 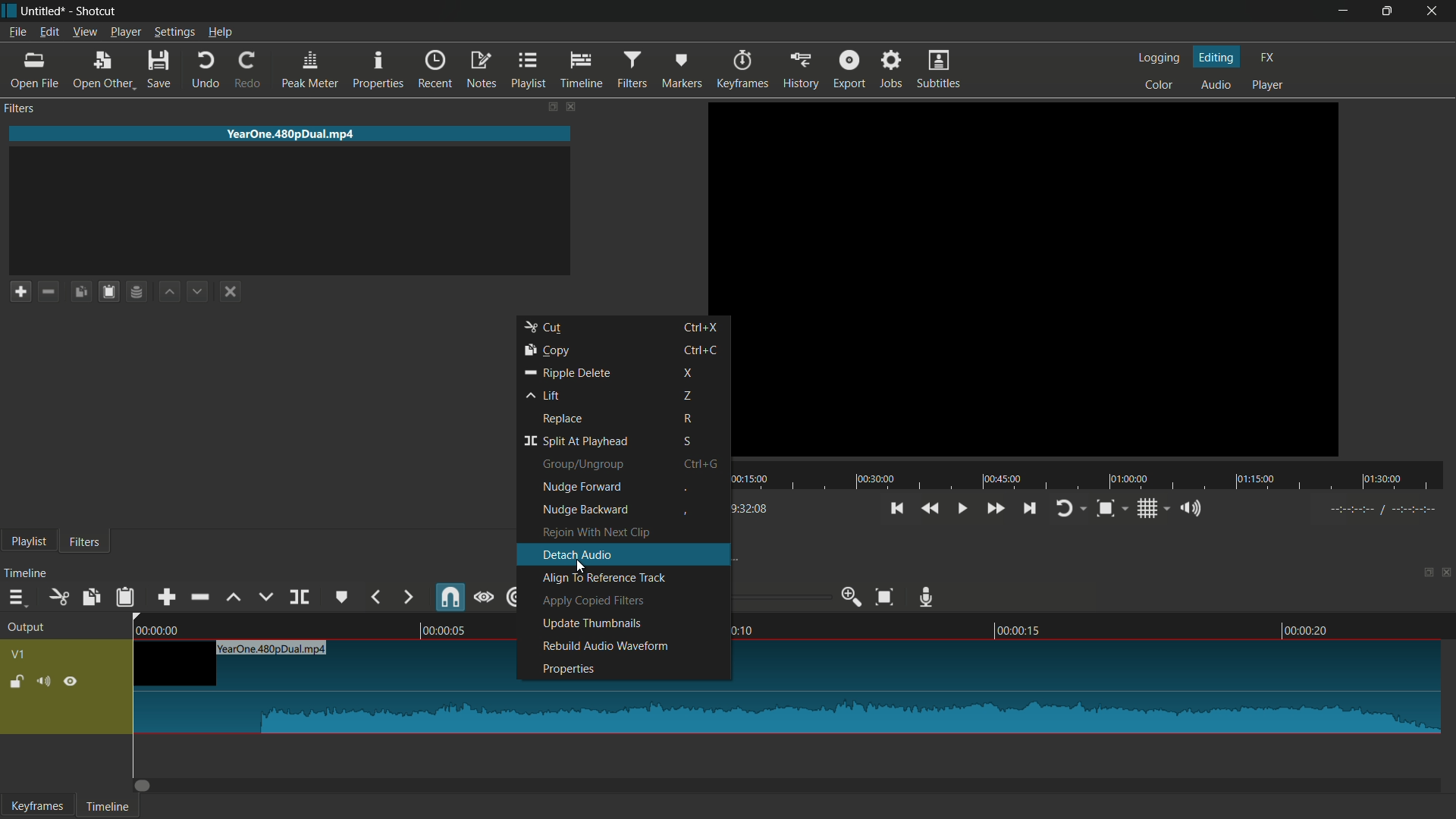 What do you see at coordinates (199, 598) in the screenshot?
I see `ripple delete` at bounding box center [199, 598].